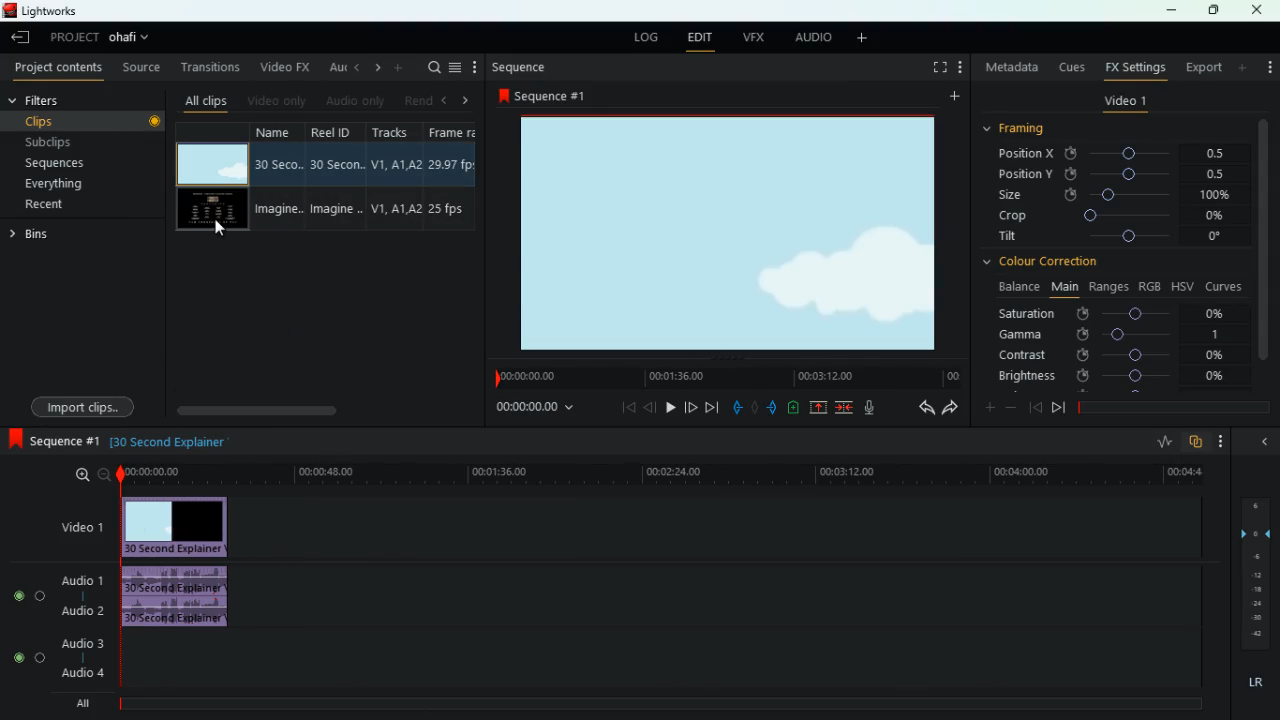 This screenshot has height=720, width=1280. What do you see at coordinates (90, 703) in the screenshot?
I see `all` at bounding box center [90, 703].